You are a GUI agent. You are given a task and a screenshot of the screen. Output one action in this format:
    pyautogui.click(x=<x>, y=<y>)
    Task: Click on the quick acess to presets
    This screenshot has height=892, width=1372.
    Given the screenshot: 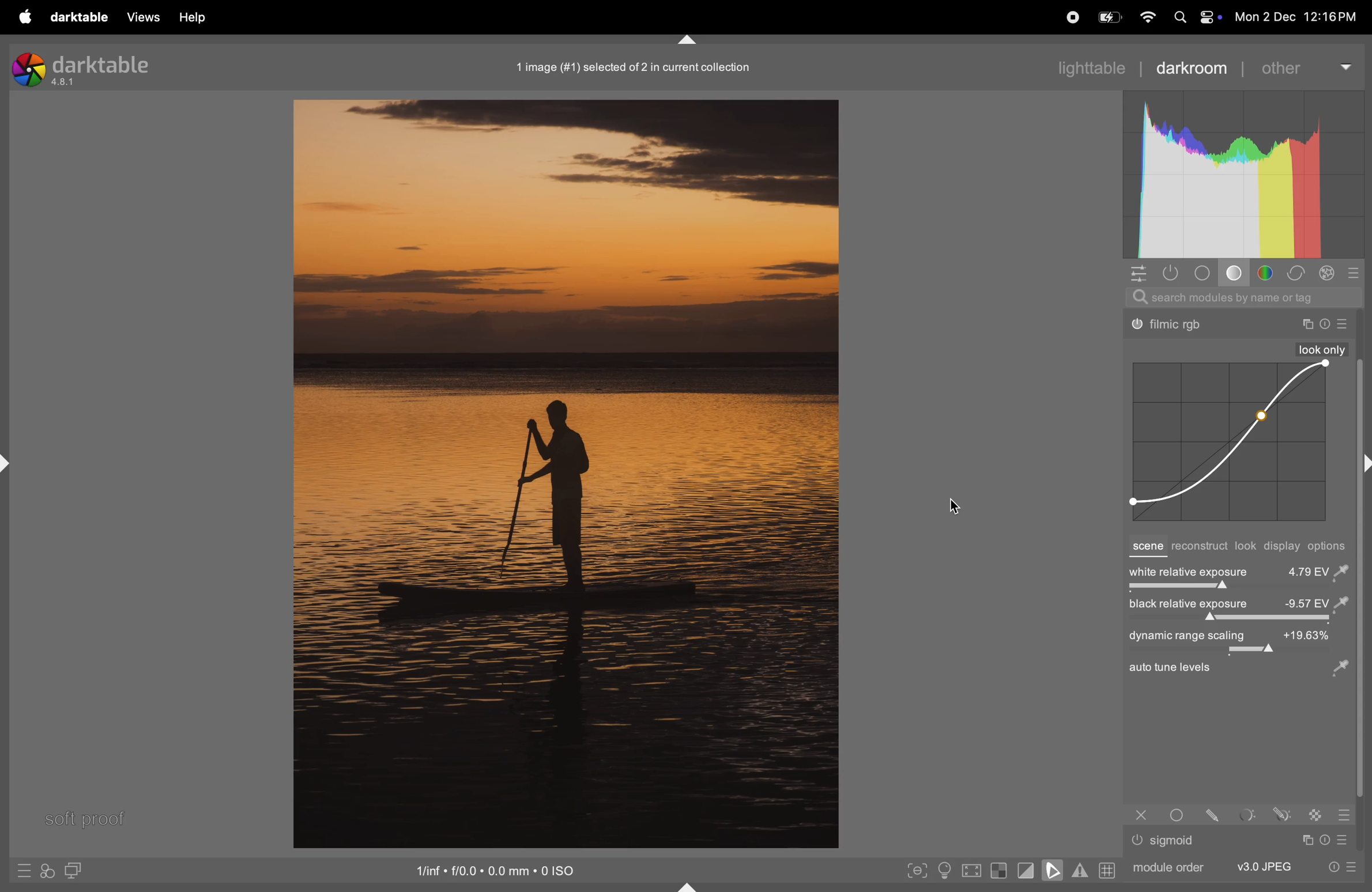 What is the action you would take?
    pyautogui.click(x=24, y=870)
    